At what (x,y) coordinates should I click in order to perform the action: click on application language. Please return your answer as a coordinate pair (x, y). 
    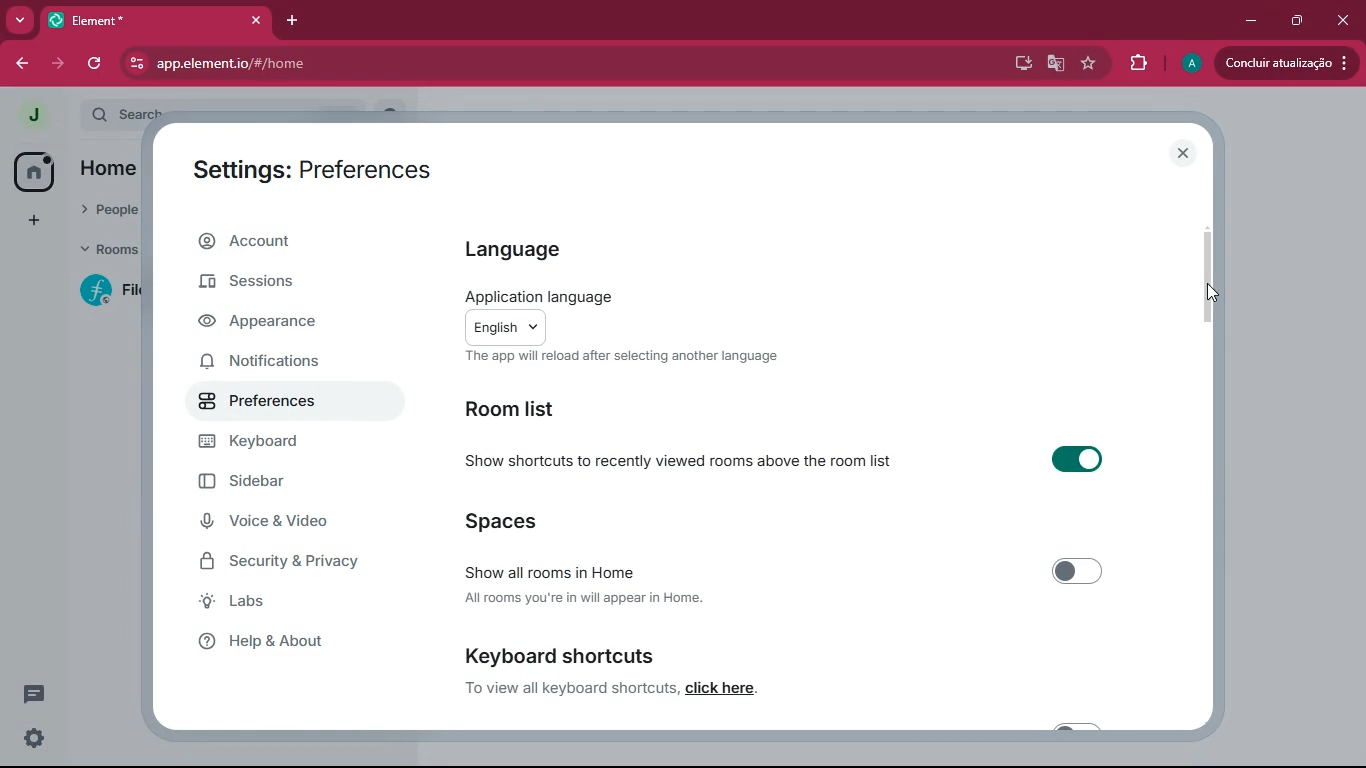
    Looking at the image, I should click on (536, 296).